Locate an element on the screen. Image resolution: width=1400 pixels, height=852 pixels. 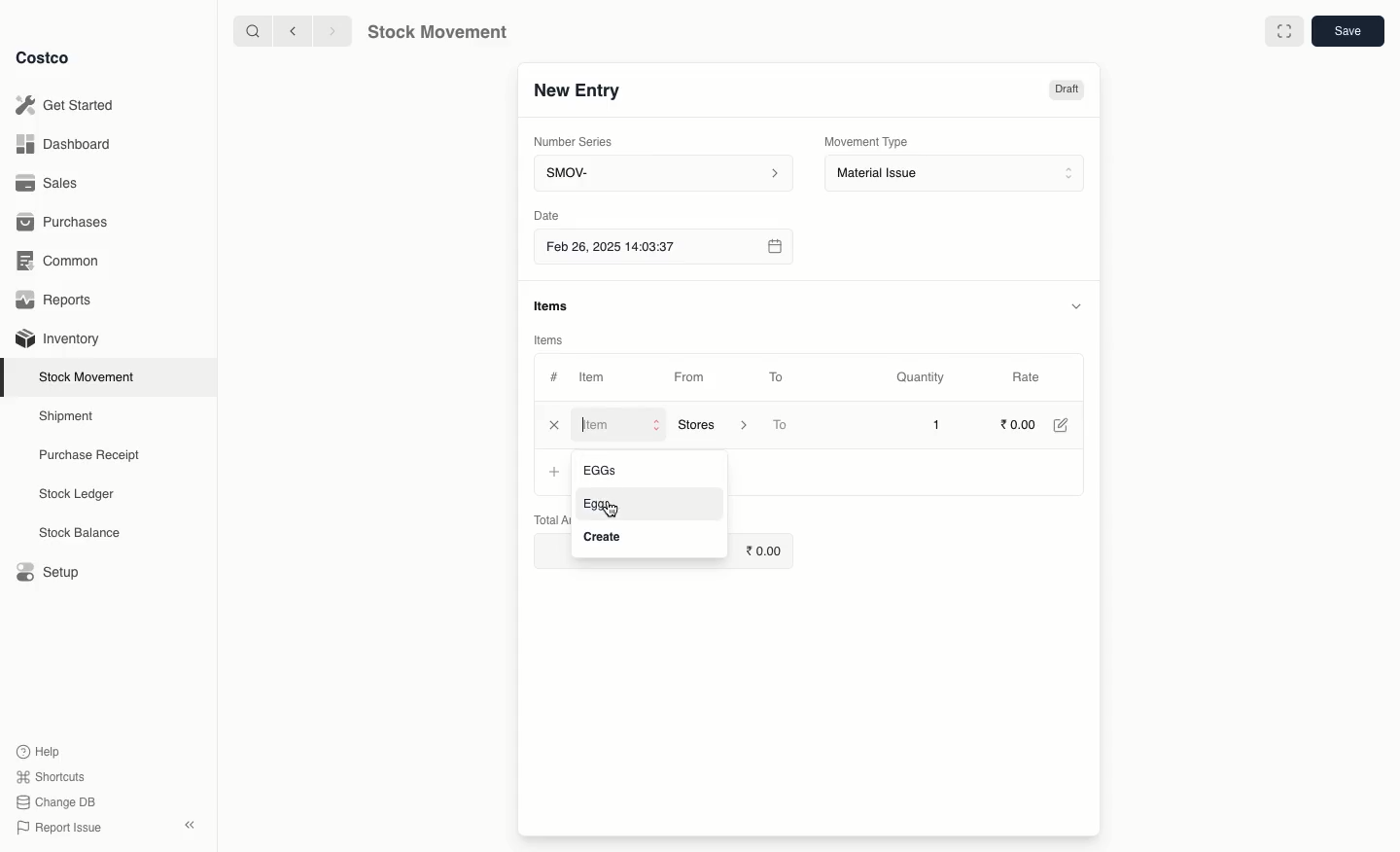
Items is located at coordinates (546, 339).